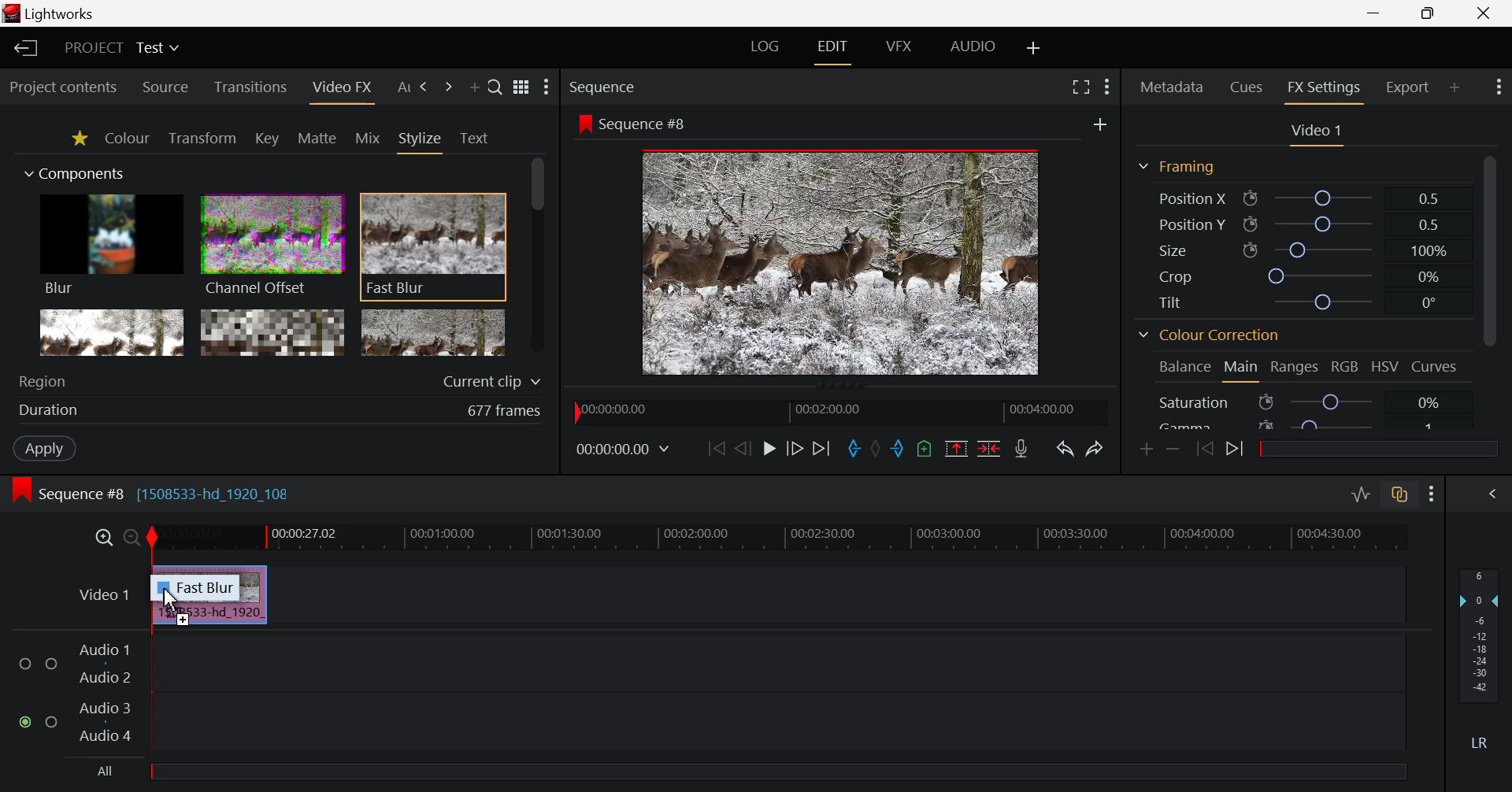  Describe the element at coordinates (266, 139) in the screenshot. I see `Key` at that location.